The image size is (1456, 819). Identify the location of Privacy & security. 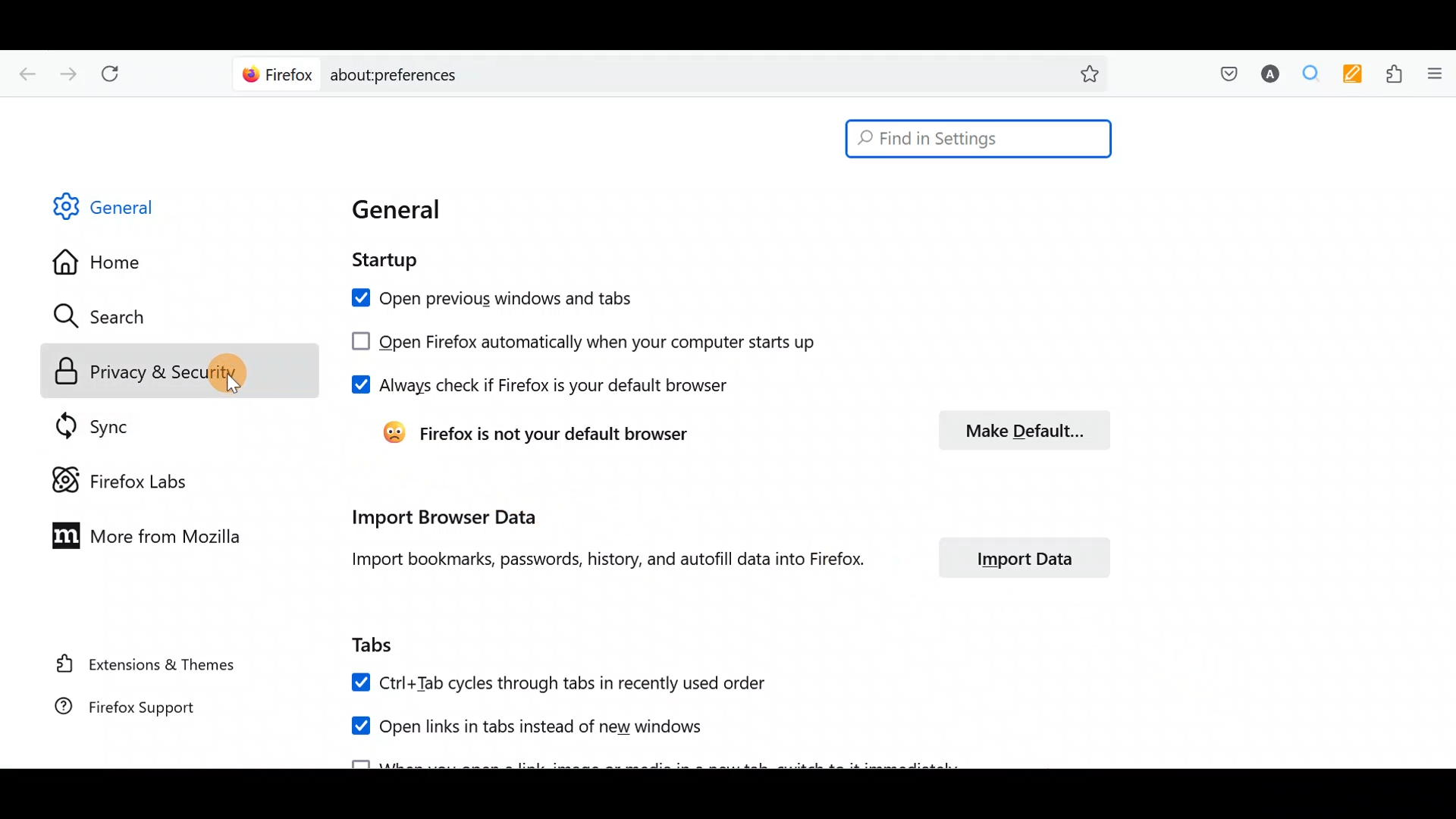
(184, 370).